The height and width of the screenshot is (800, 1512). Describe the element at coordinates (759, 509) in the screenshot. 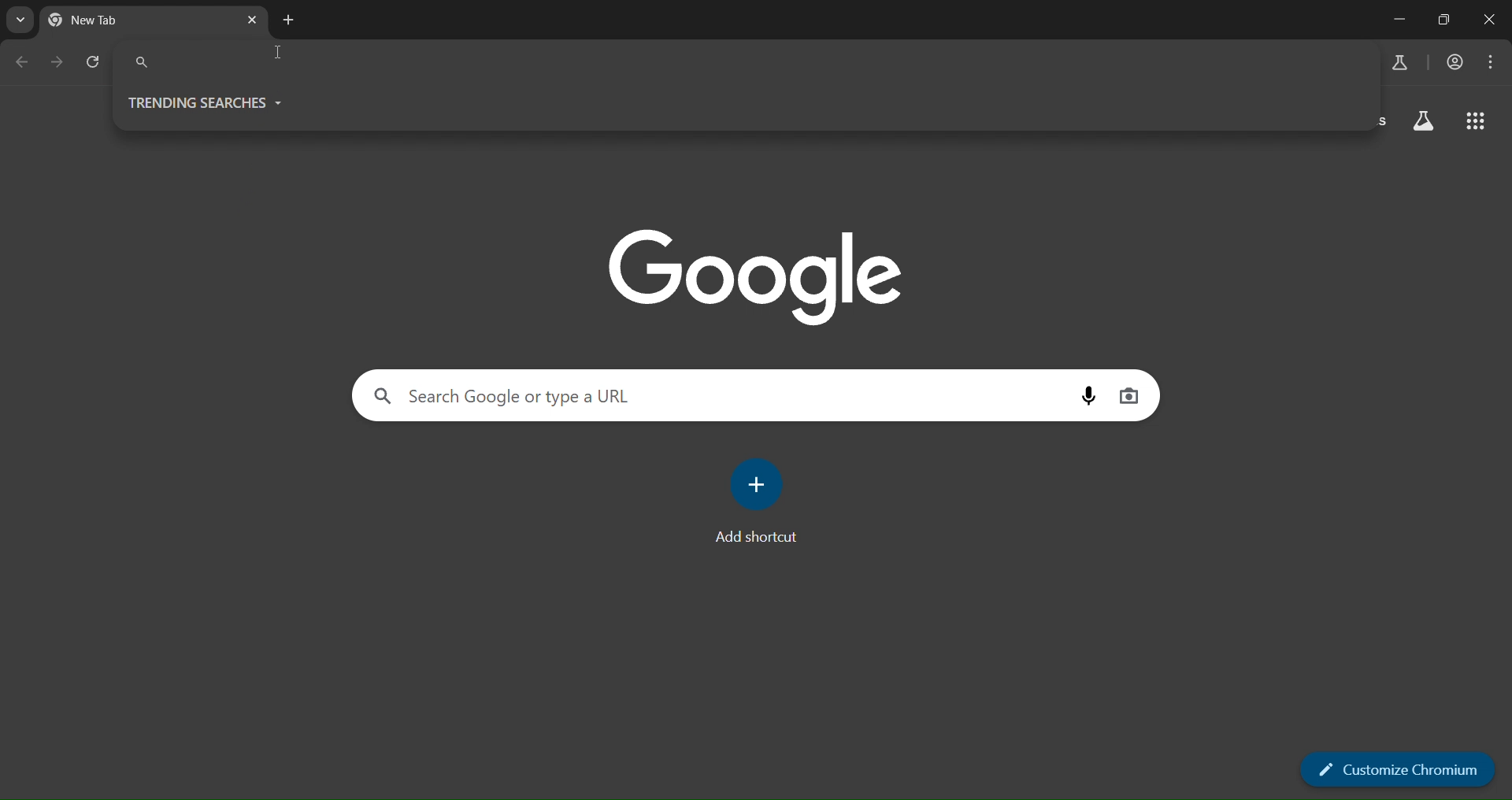

I see `add shortcut` at that location.